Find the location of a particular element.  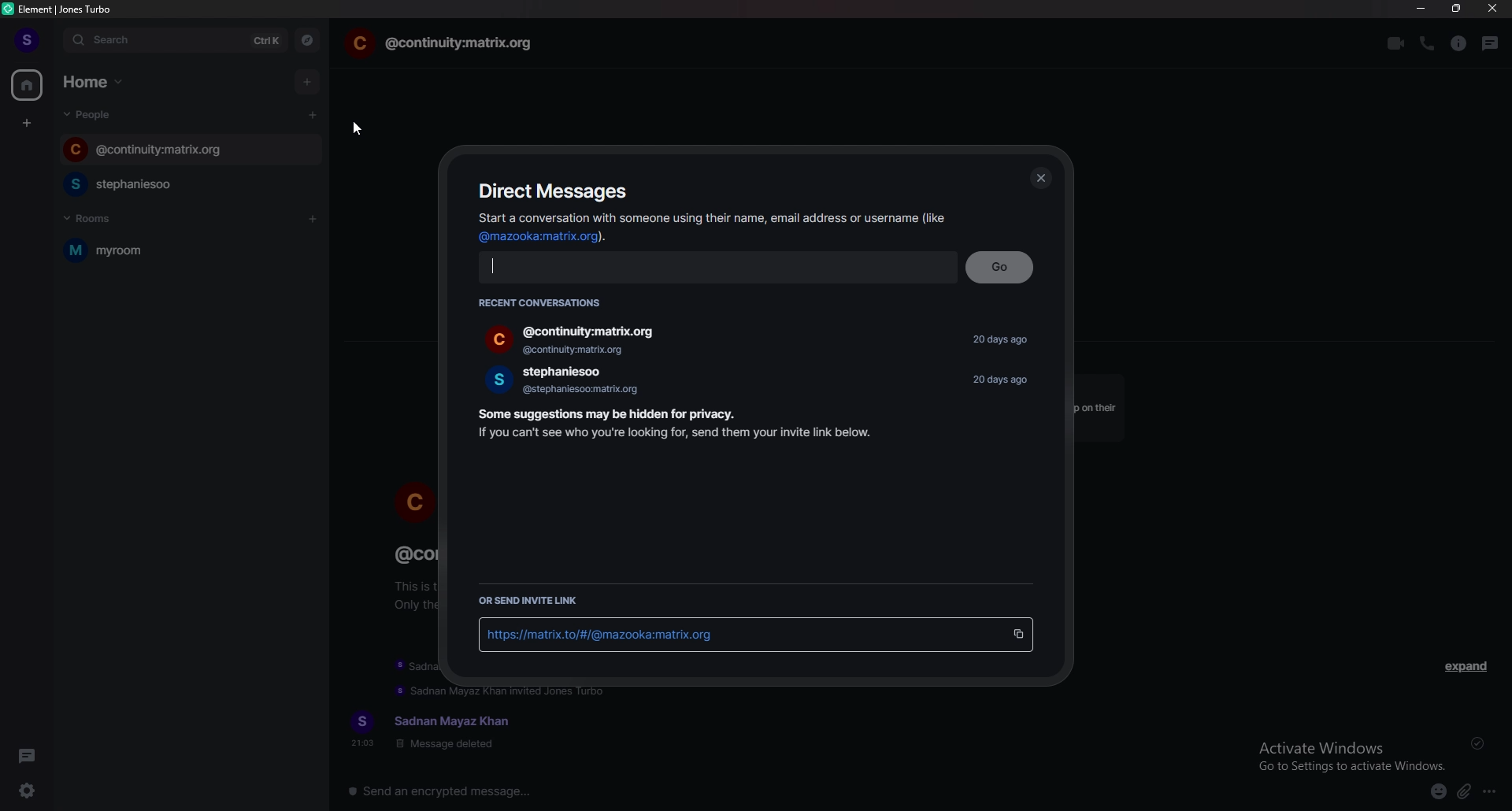

people is located at coordinates (94, 114).